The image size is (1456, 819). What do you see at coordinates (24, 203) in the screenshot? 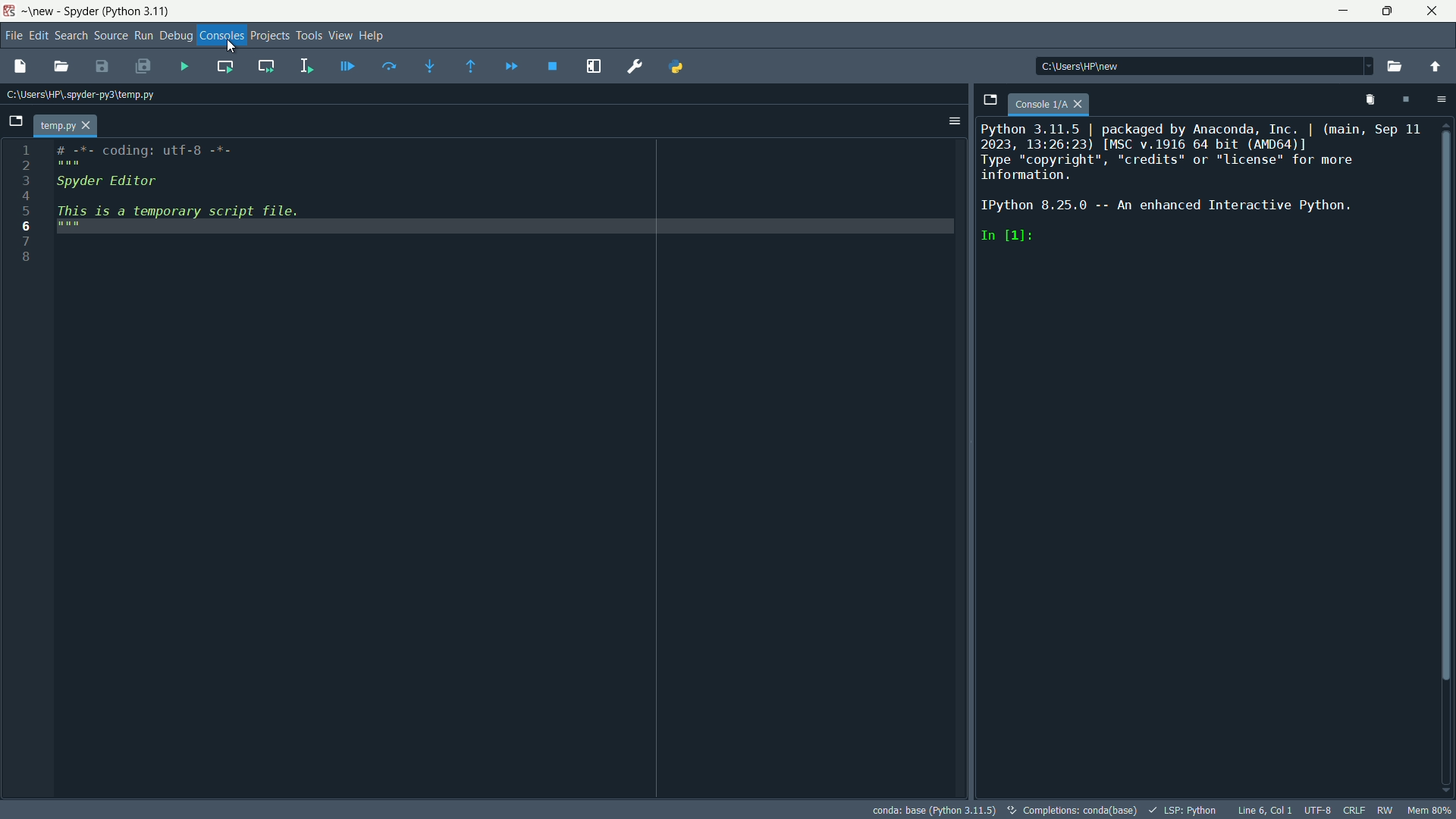
I see `12345678` at bounding box center [24, 203].